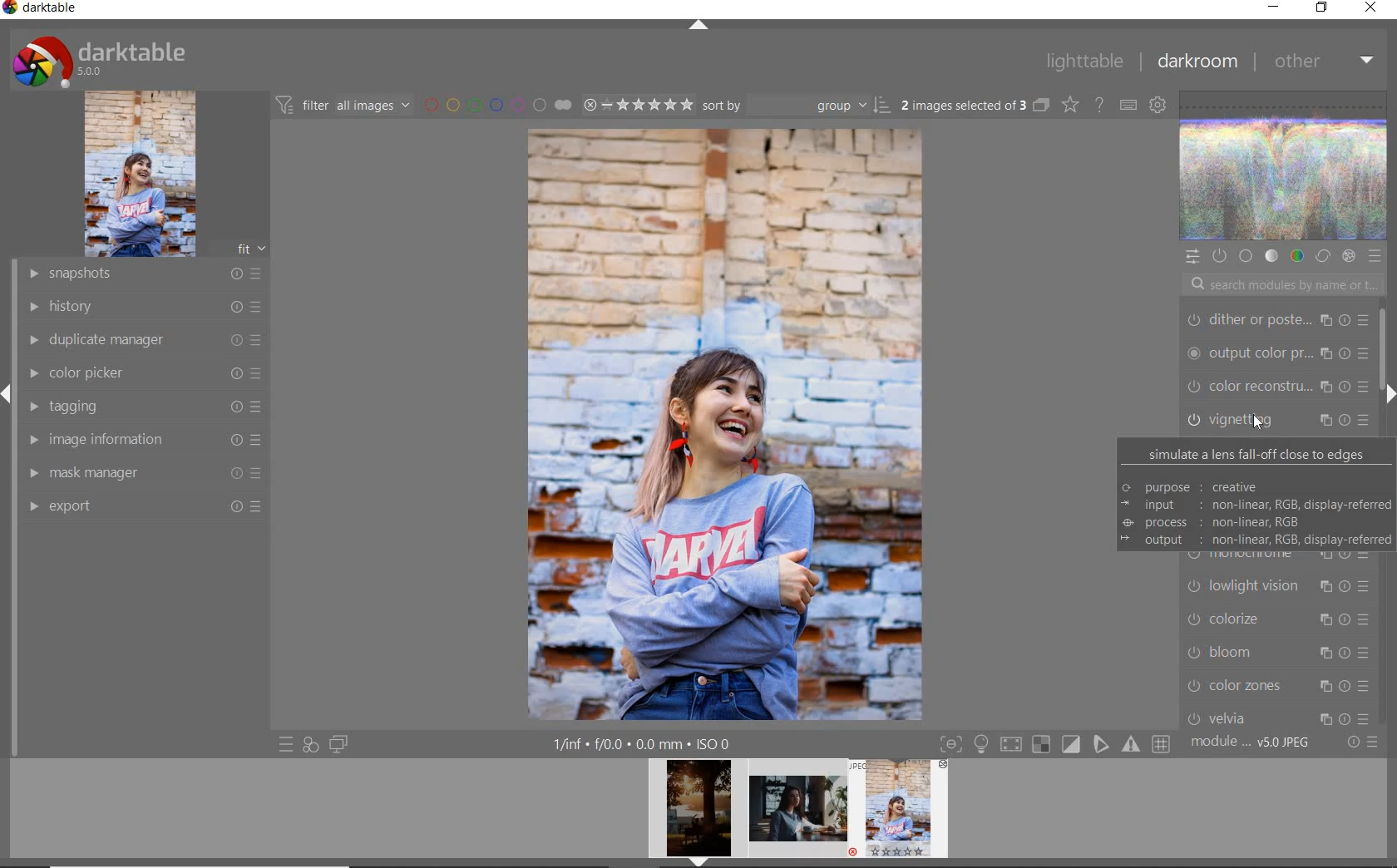 The image size is (1397, 868). What do you see at coordinates (1261, 423) in the screenshot?
I see `cursor position` at bounding box center [1261, 423].